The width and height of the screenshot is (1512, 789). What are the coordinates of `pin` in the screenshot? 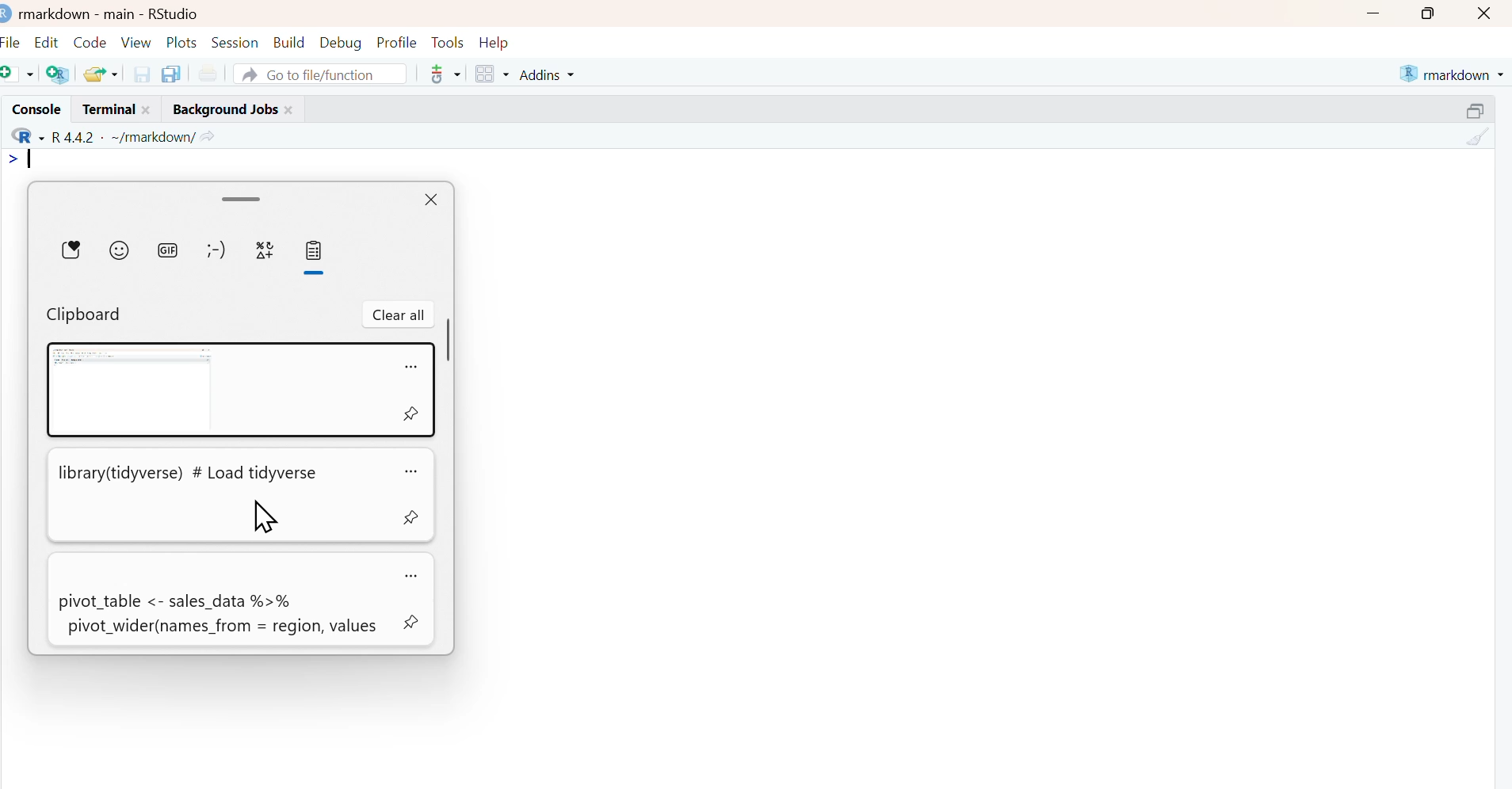 It's located at (412, 412).